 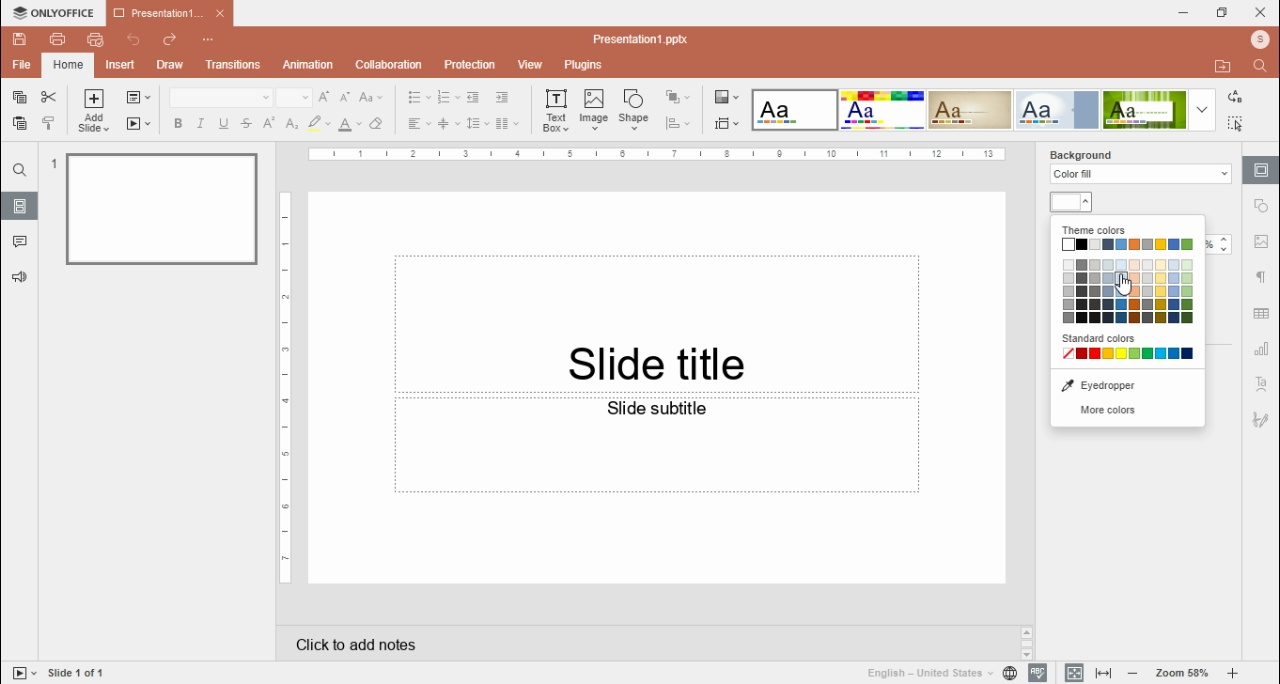 I want to click on animation, so click(x=305, y=65).